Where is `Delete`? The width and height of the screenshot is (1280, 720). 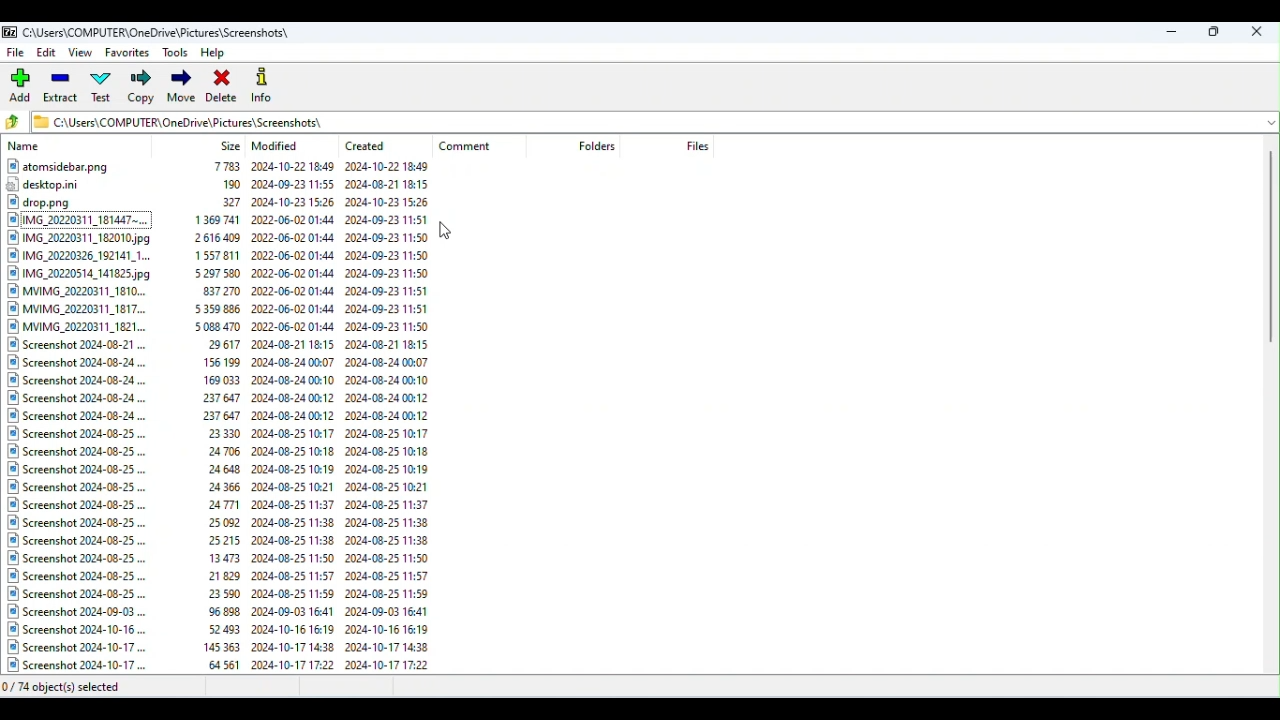 Delete is located at coordinates (223, 85).